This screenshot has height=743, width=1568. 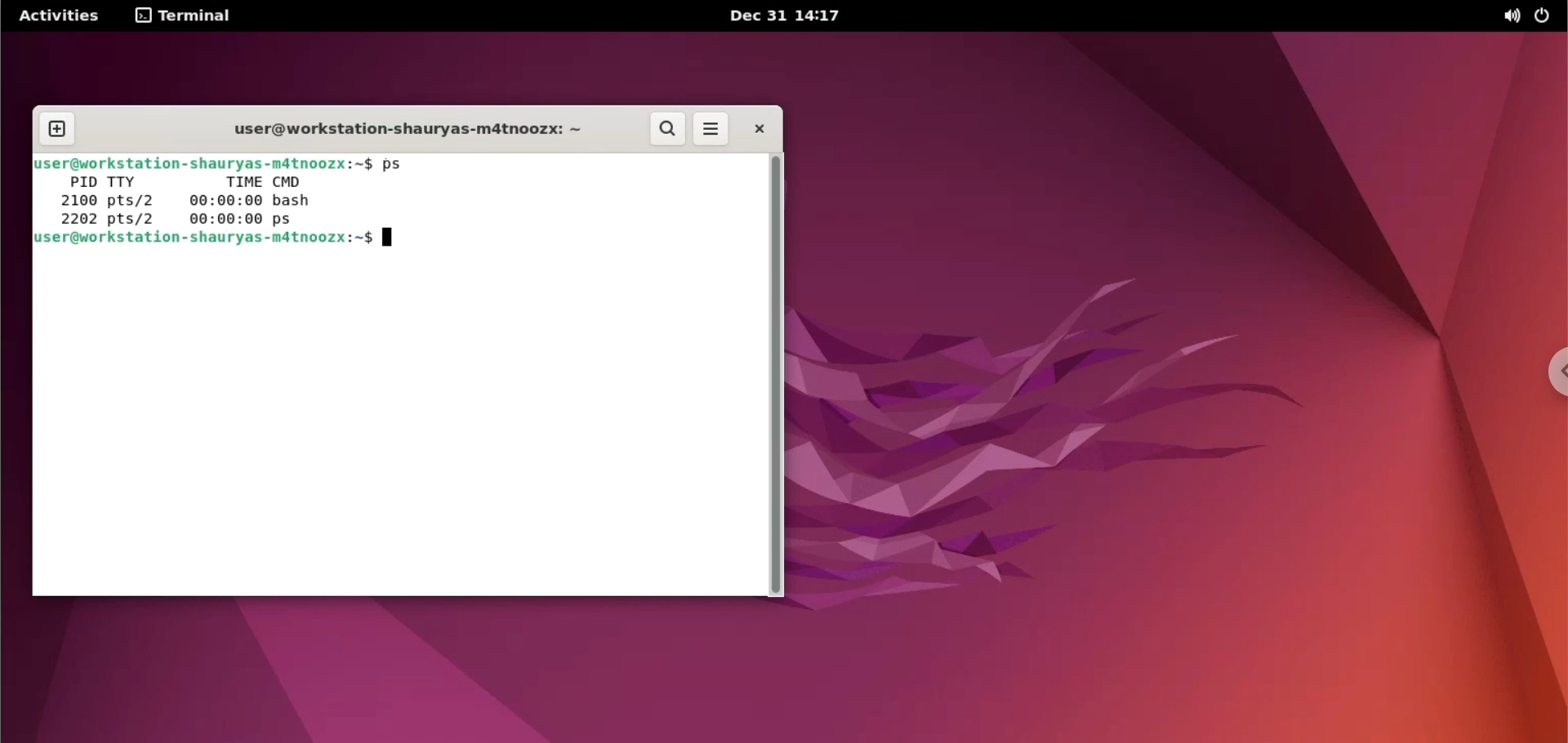 What do you see at coordinates (1553, 369) in the screenshot?
I see `chrome options` at bounding box center [1553, 369].